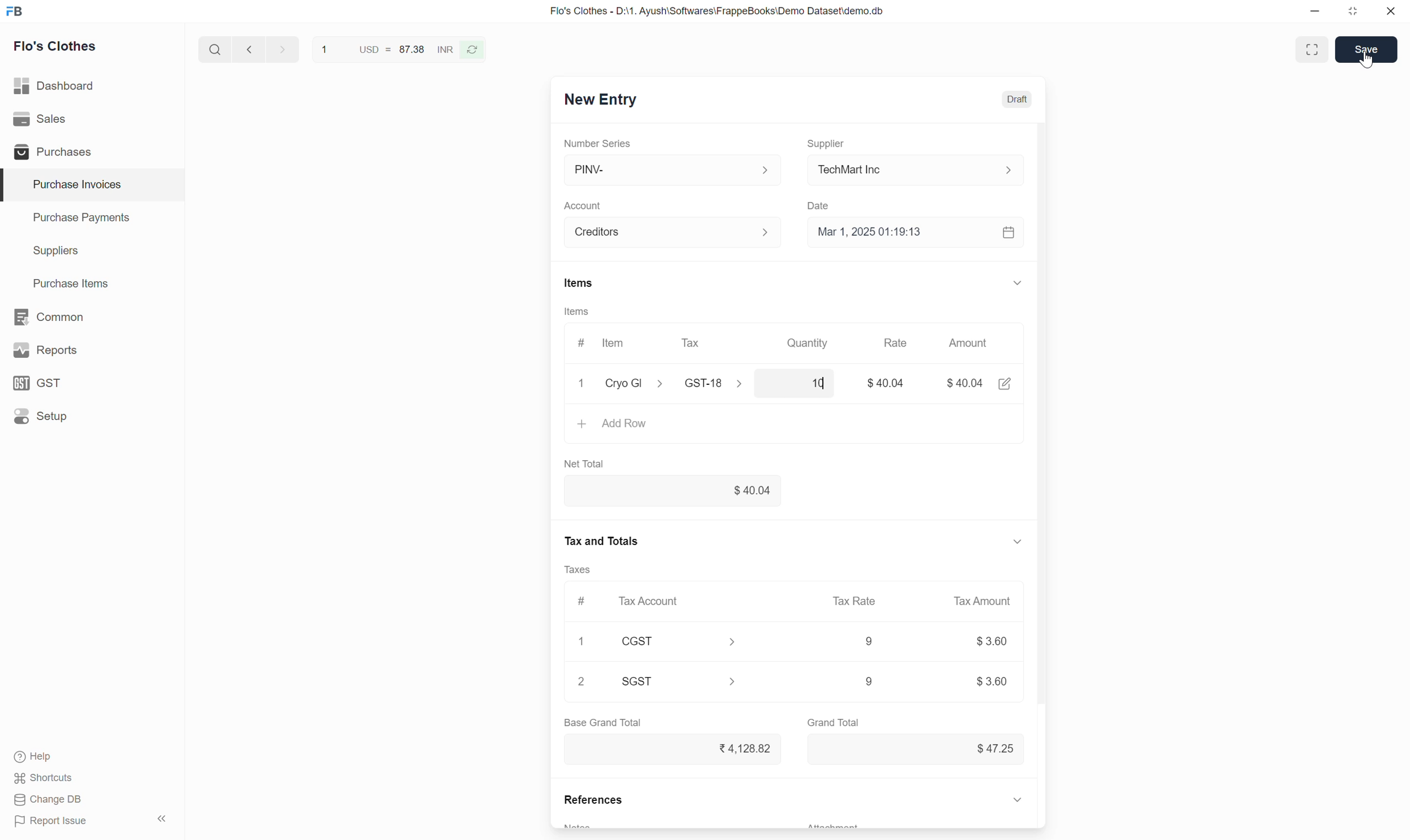 The width and height of the screenshot is (1410, 840). I want to click on ltem, so click(616, 345).